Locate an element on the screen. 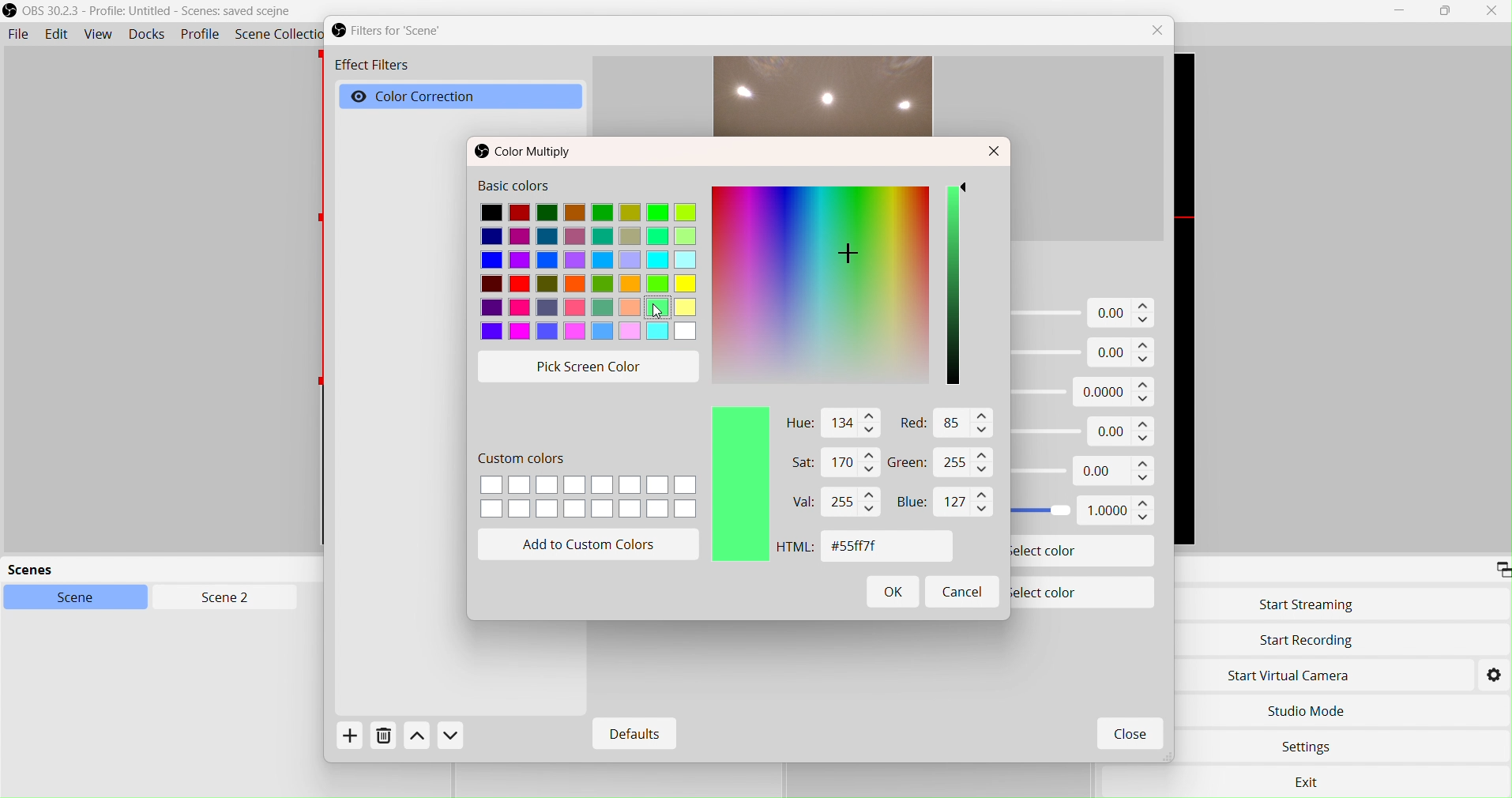 The image size is (1512, 798). cursor is located at coordinates (660, 316).